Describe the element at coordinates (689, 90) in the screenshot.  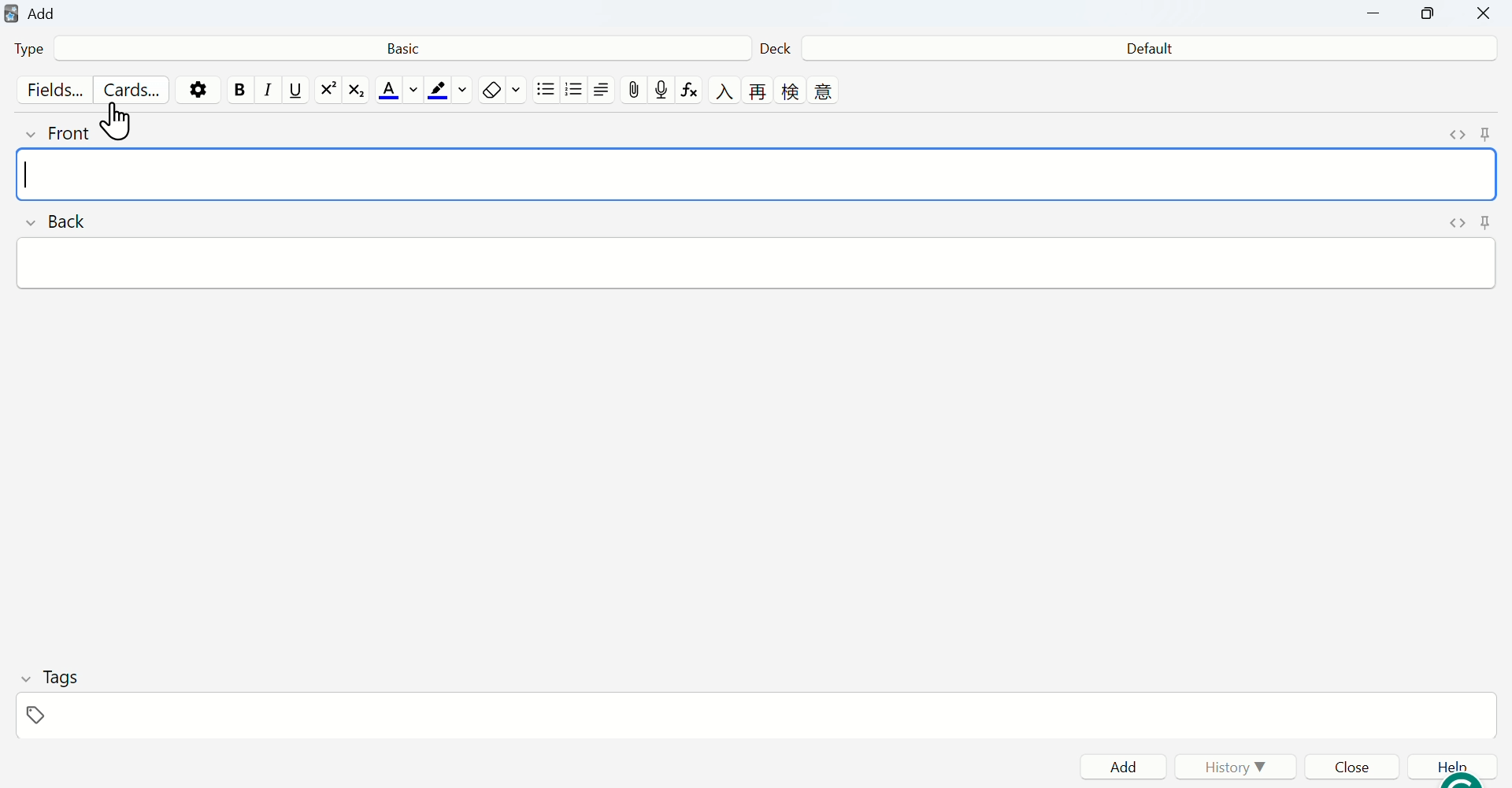
I see `equations` at that location.